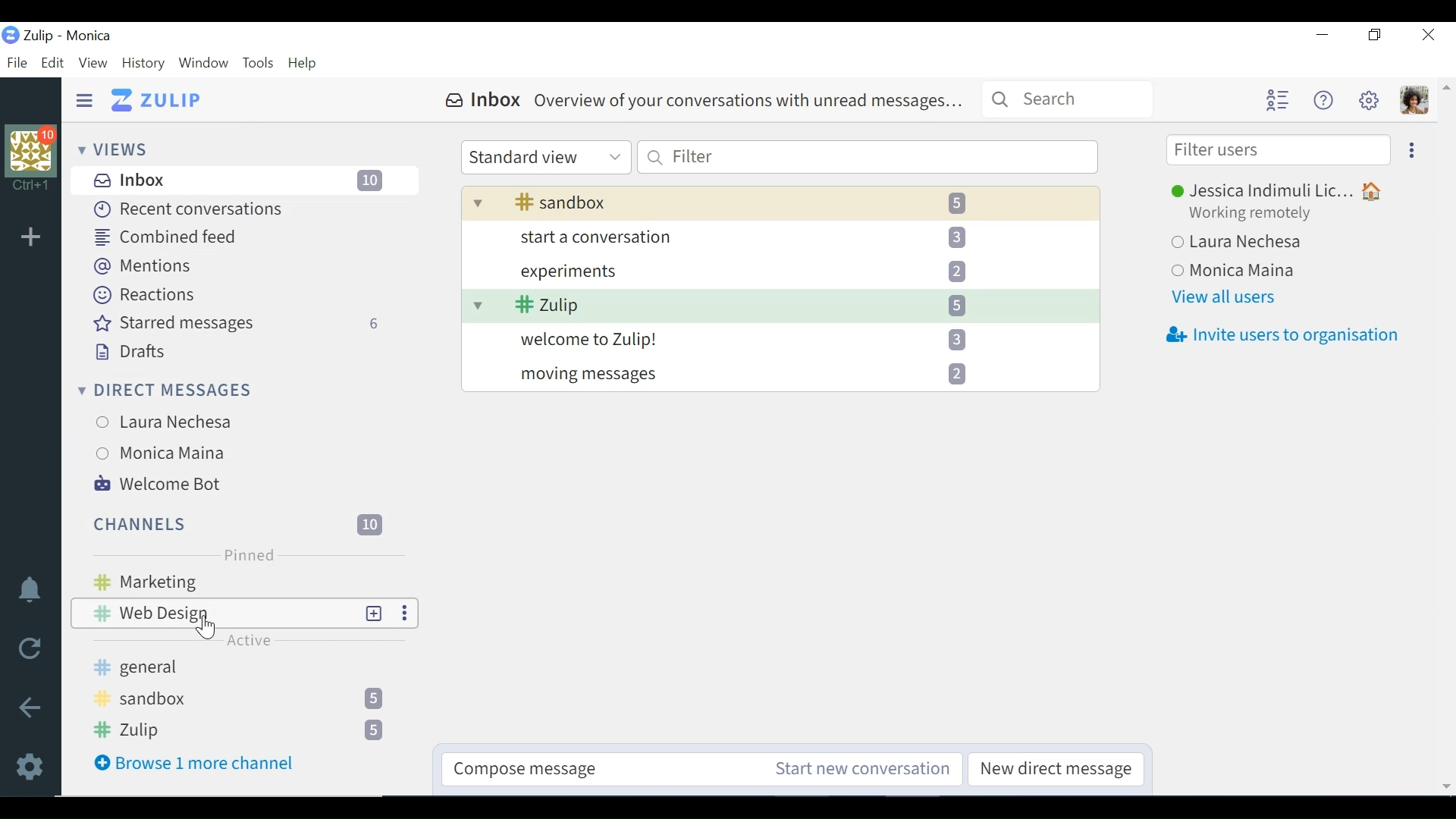 The width and height of the screenshot is (1456, 819). What do you see at coordinates (16, 62) in the screenshot?
I see `File` at bounding box center [16, 62].